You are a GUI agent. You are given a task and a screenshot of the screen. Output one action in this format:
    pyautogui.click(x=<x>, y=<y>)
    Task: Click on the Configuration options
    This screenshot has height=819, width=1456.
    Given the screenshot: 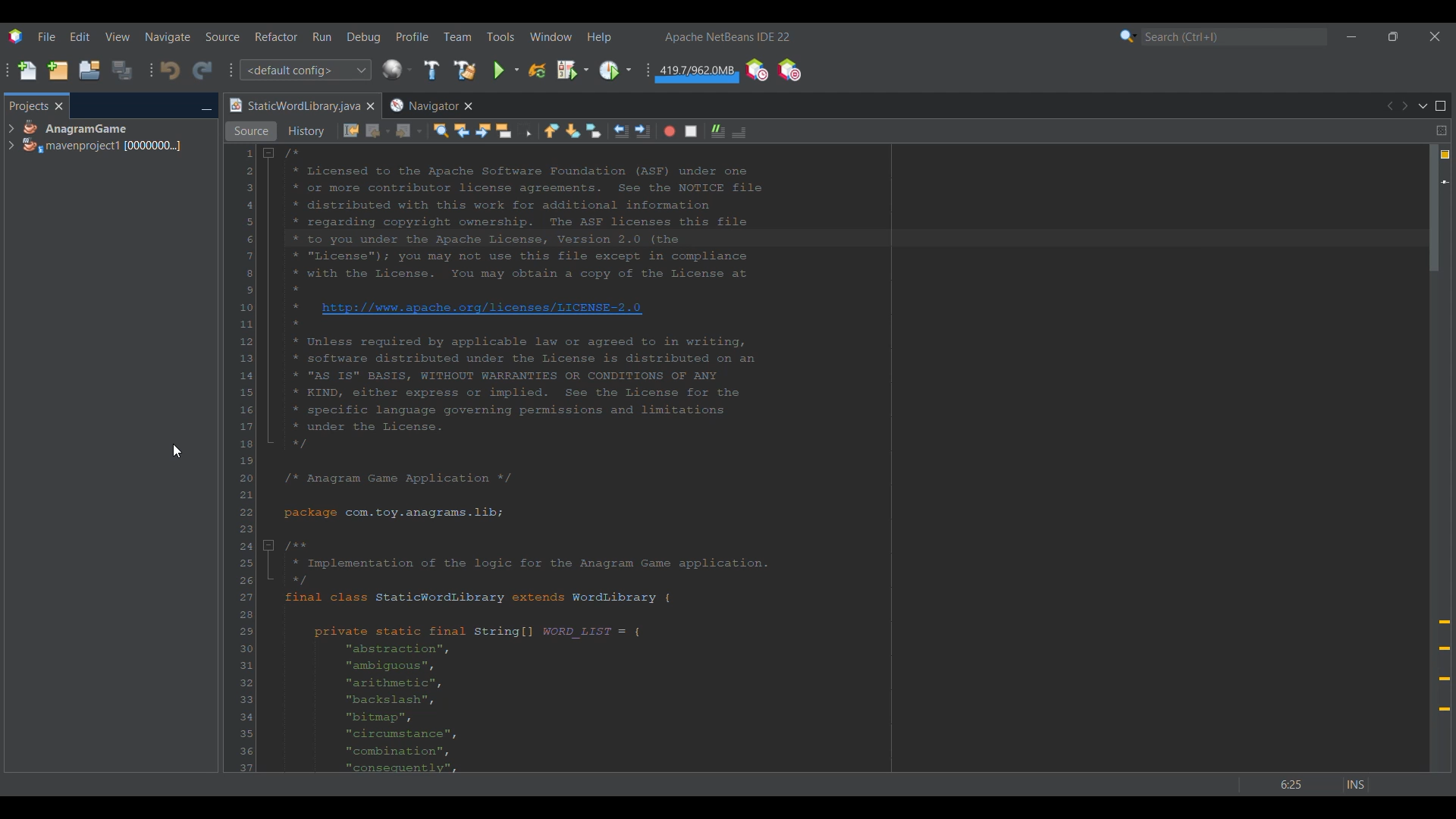 What is the action you would take?
    pyautogui.click(x=305, y=70)
    